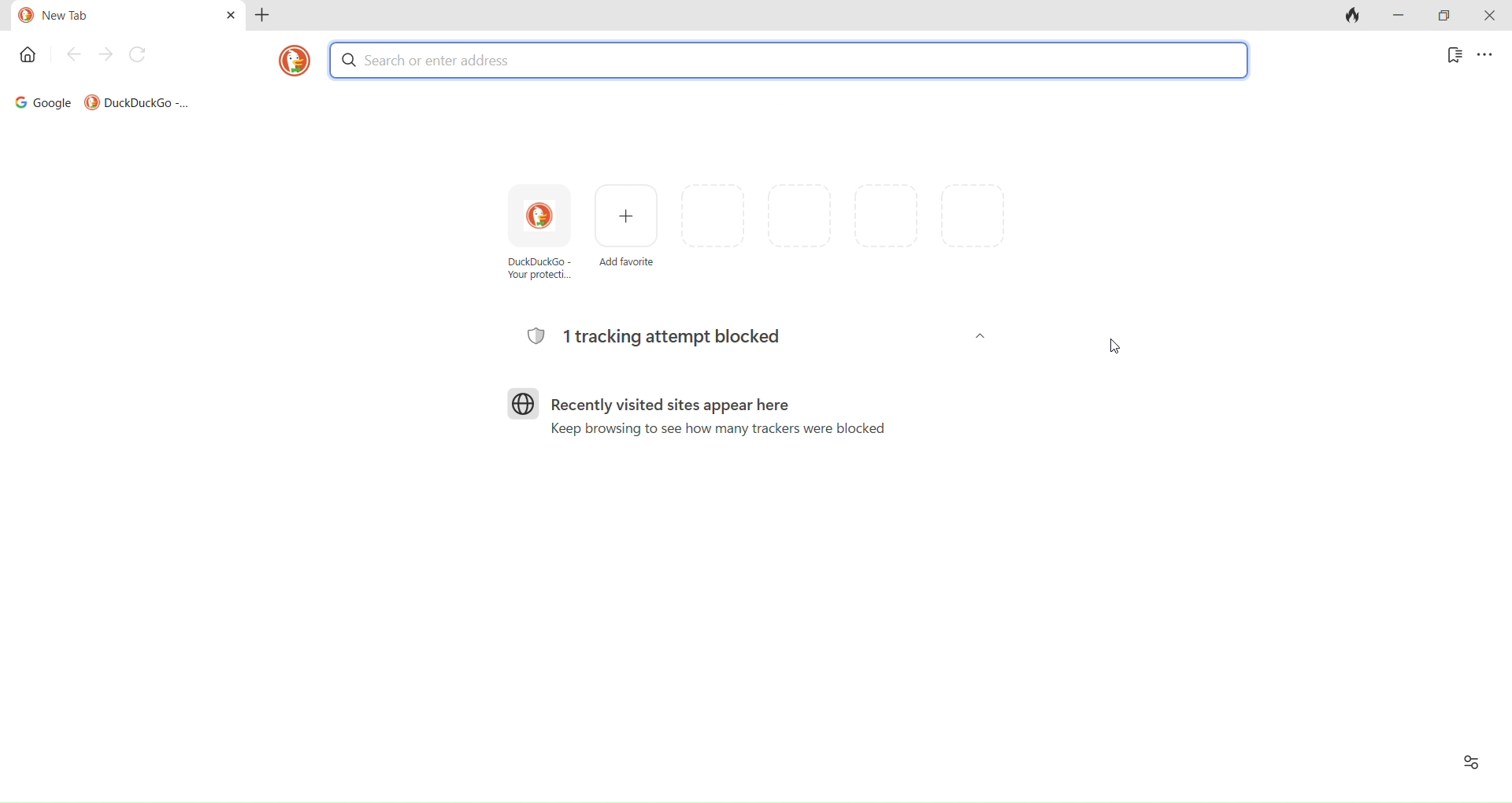 The height and width of the screenshot is (803, 1512). Describe the element at coordinates (288, 65) in the screenshot. I see `logo` at that location.